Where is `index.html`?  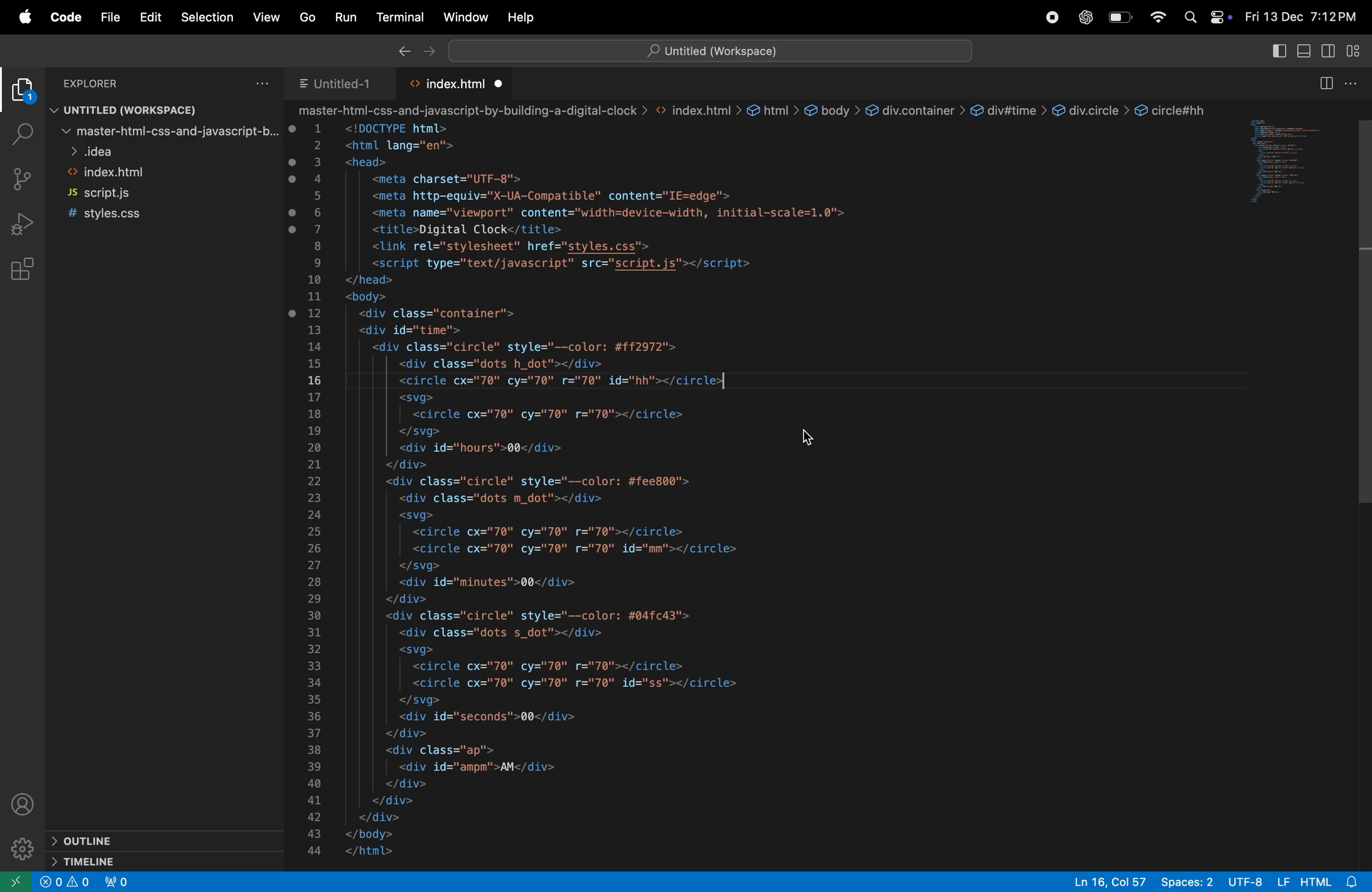 index.html is located at coordinates (156, 173).